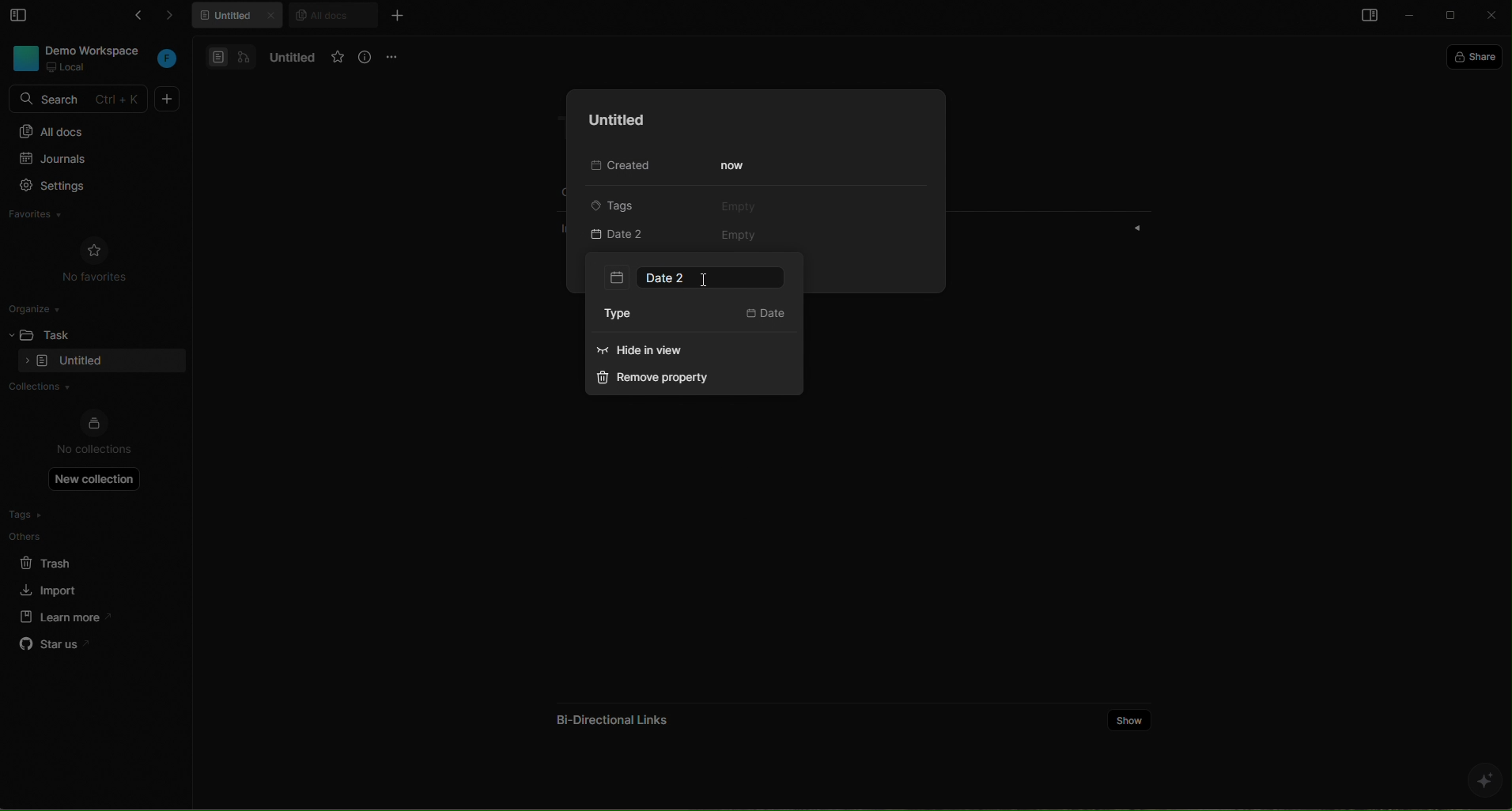  I want to click on bi directional links, so click(609, 715).